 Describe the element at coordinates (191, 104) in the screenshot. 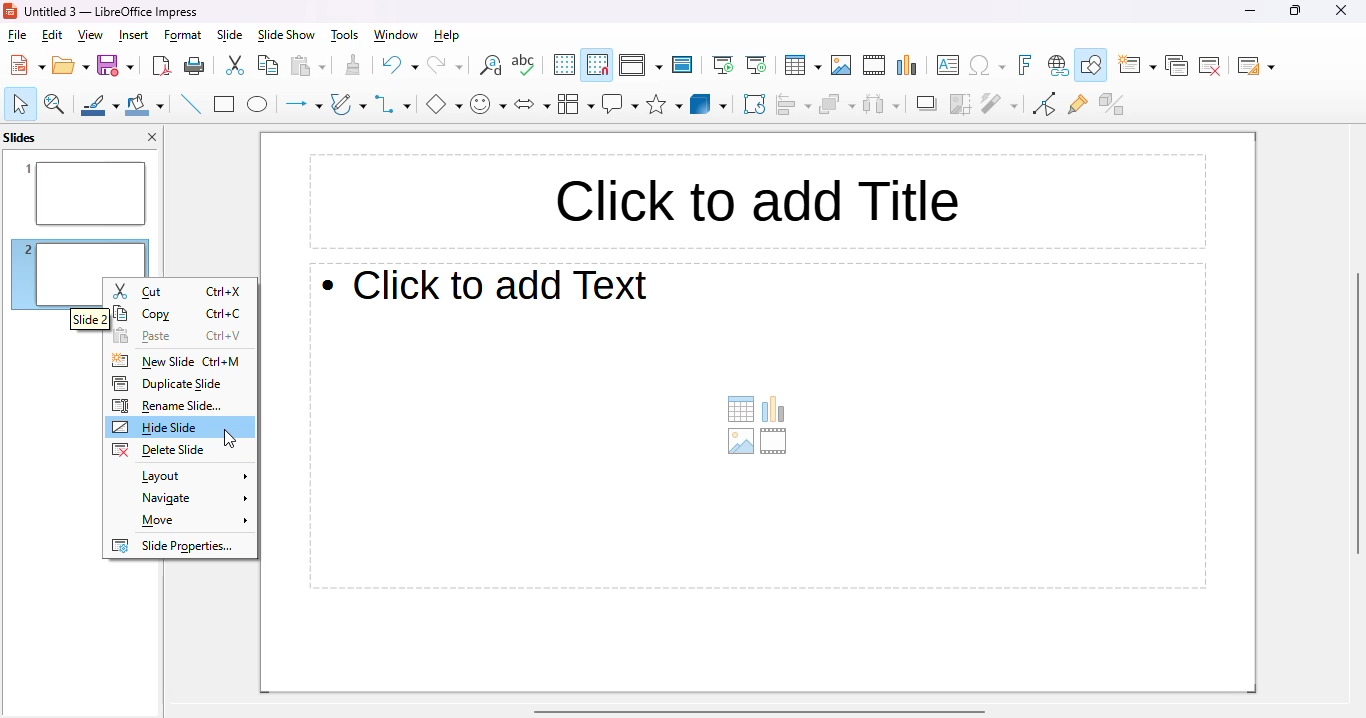

I see `insert line` at that location.